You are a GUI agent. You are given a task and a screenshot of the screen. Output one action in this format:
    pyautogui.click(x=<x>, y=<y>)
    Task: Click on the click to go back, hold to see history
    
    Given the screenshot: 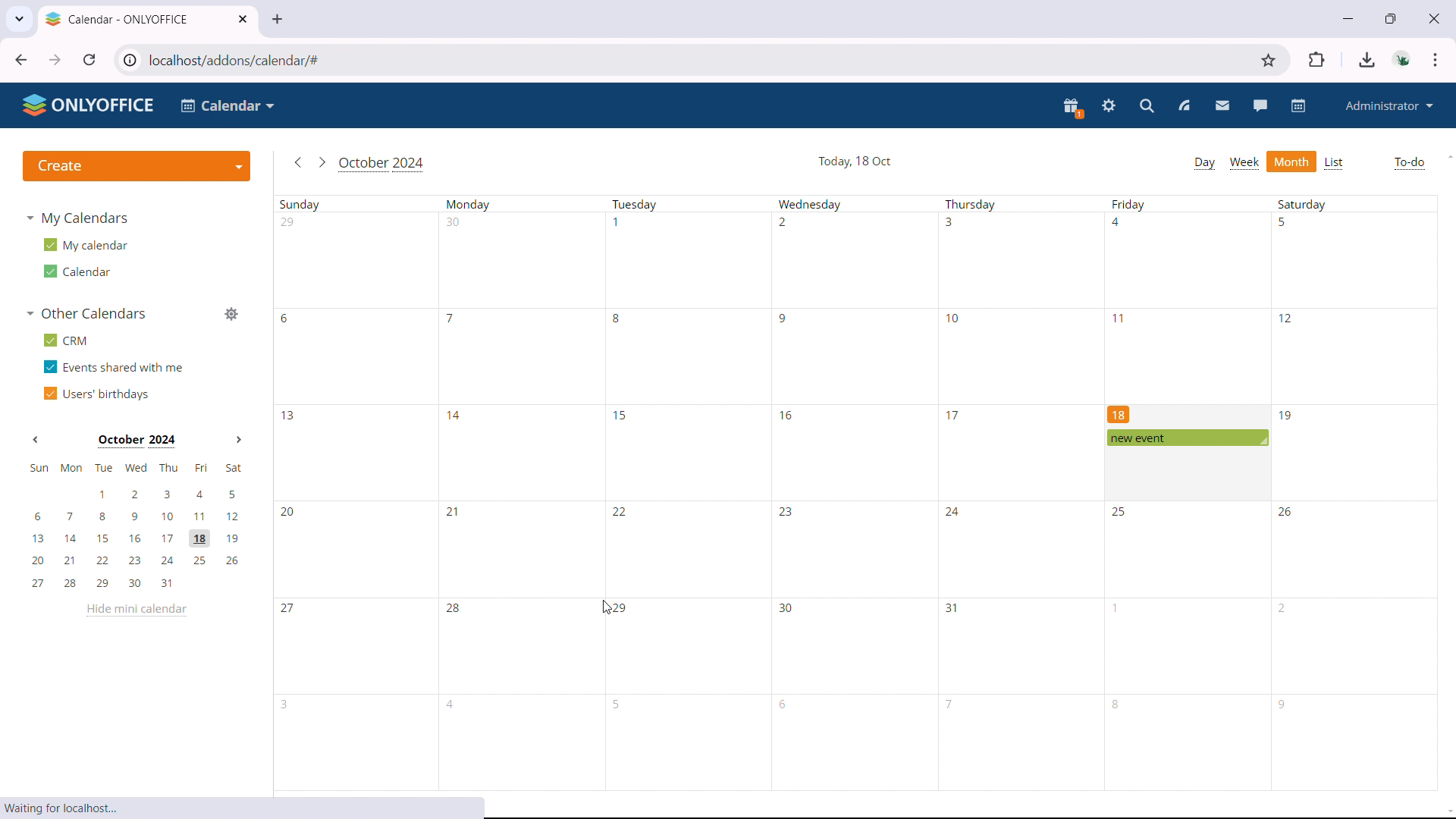 What is the action you would take?
    pyautogui.click(x=21, y=59)
    